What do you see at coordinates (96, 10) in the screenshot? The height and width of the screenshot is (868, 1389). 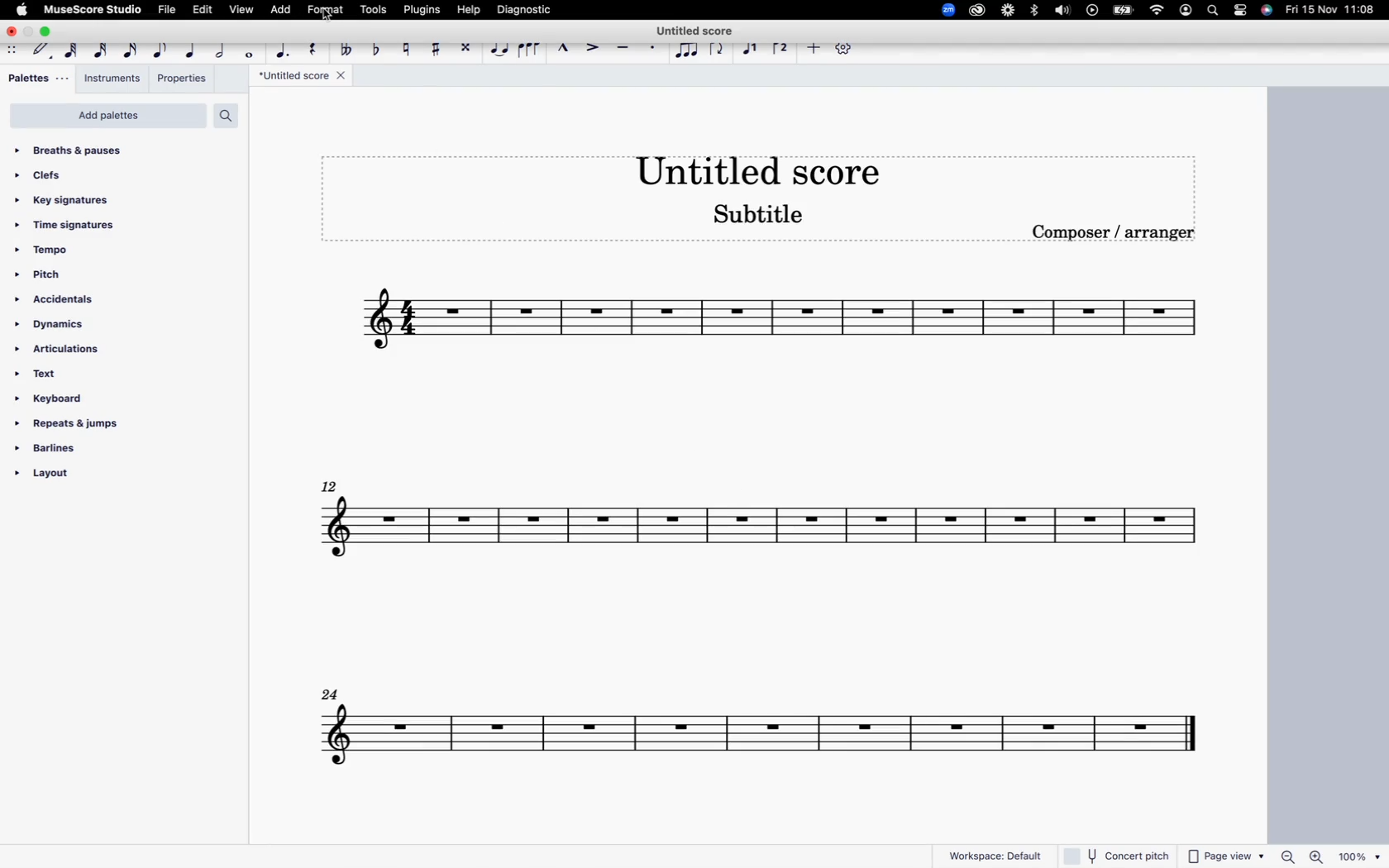 I see `musescore studio` at bounding box center [96, 10].